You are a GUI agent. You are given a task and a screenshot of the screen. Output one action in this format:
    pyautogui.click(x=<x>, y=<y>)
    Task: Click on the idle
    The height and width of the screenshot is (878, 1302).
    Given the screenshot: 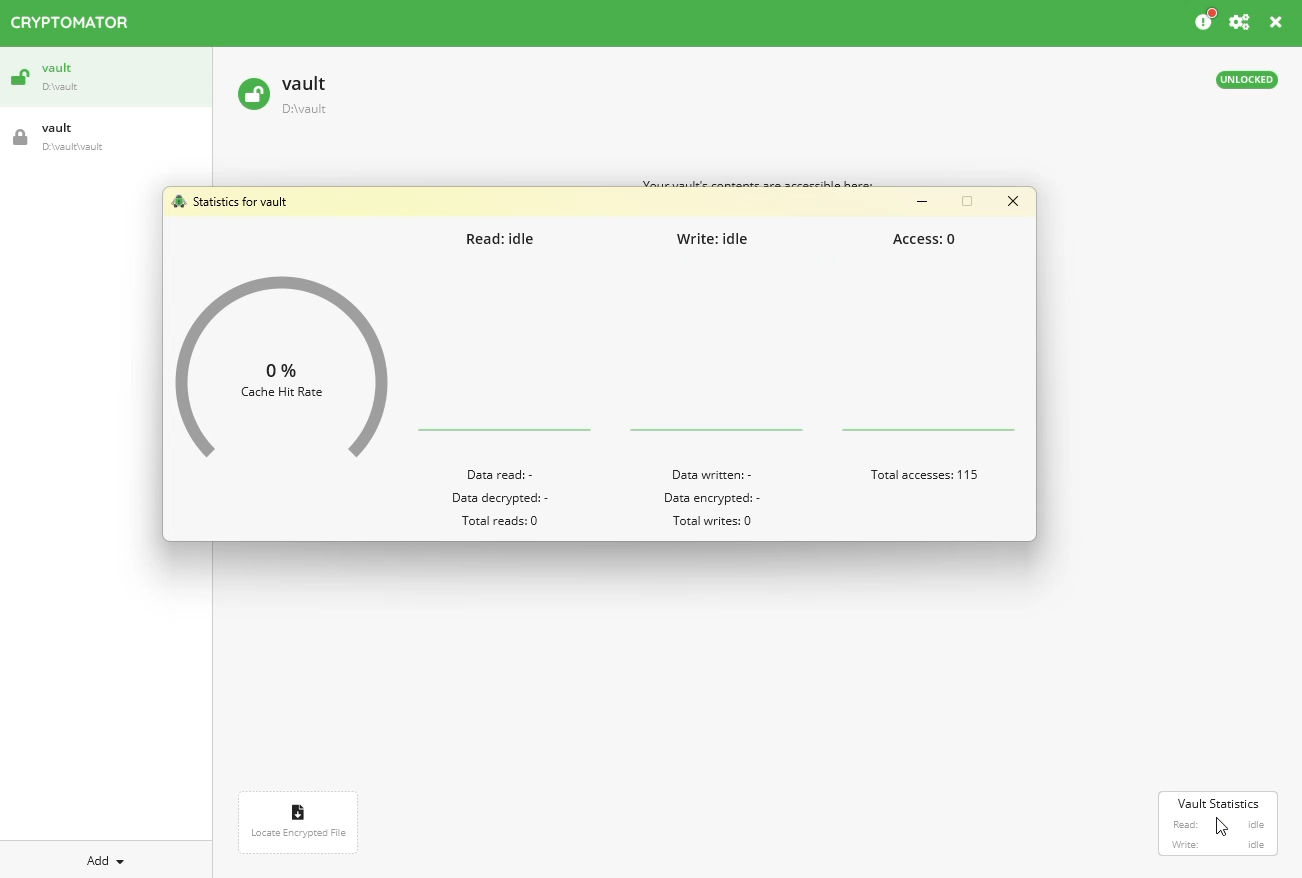 What is the action you would take?
    pyautogui.click(x=1257, y=845)
    